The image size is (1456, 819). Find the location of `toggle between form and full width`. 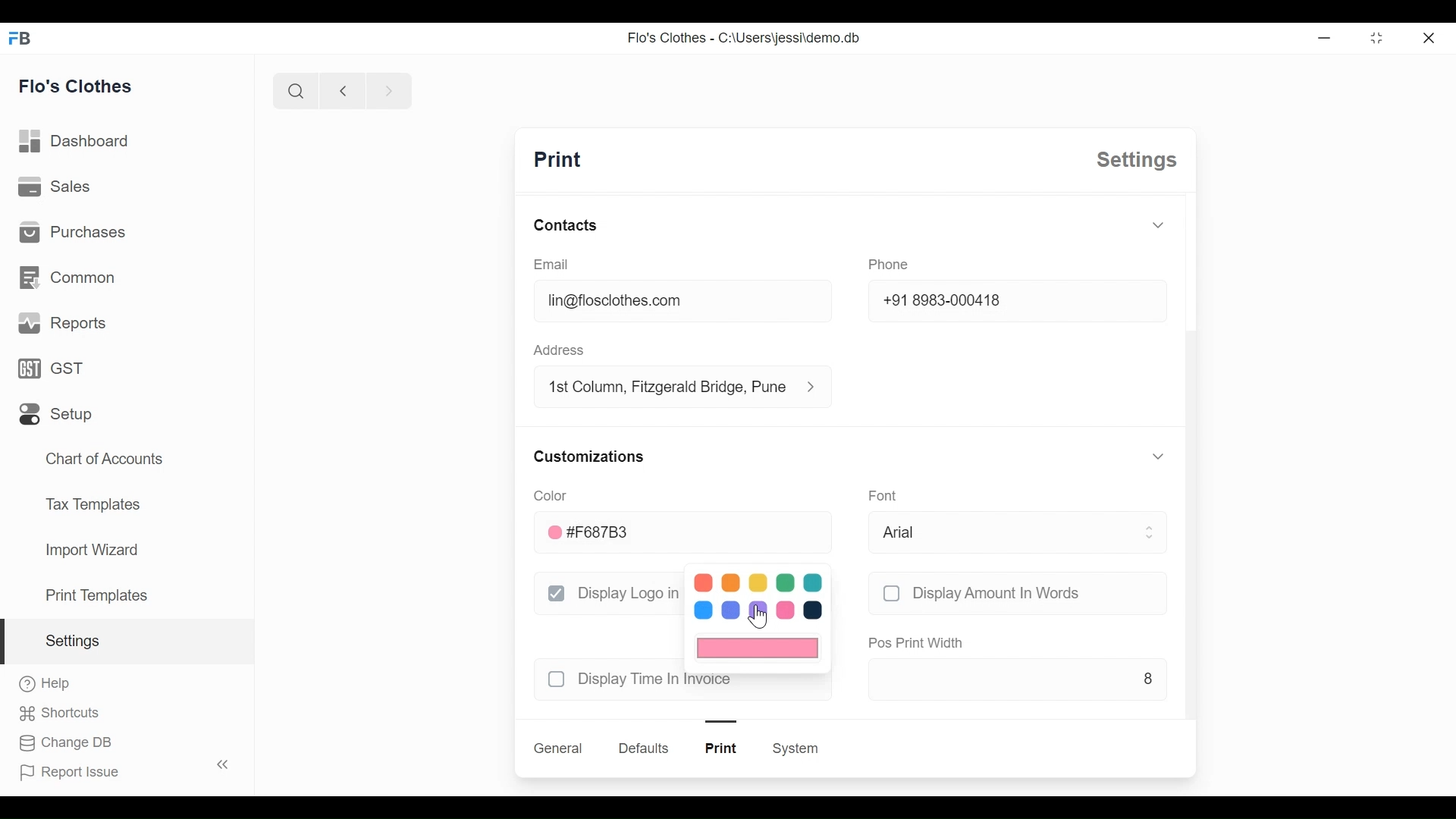

toggle between form and full width is located at coordinates (1377, 38).